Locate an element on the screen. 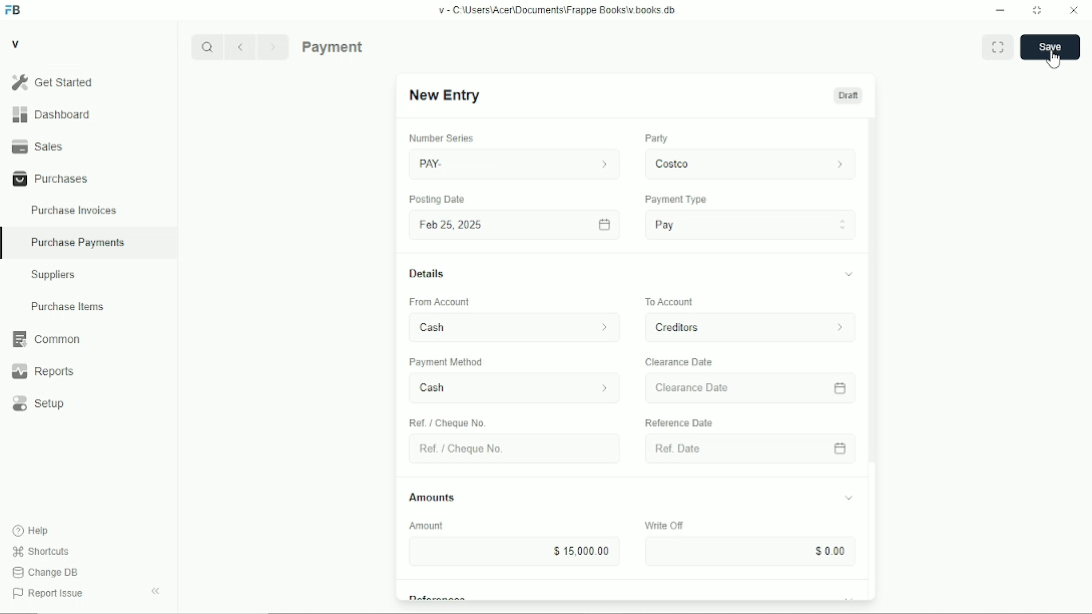 Image resolution: width=1092 pixels, height=614 pixels. Write OF is located at coordinates (659, 524).